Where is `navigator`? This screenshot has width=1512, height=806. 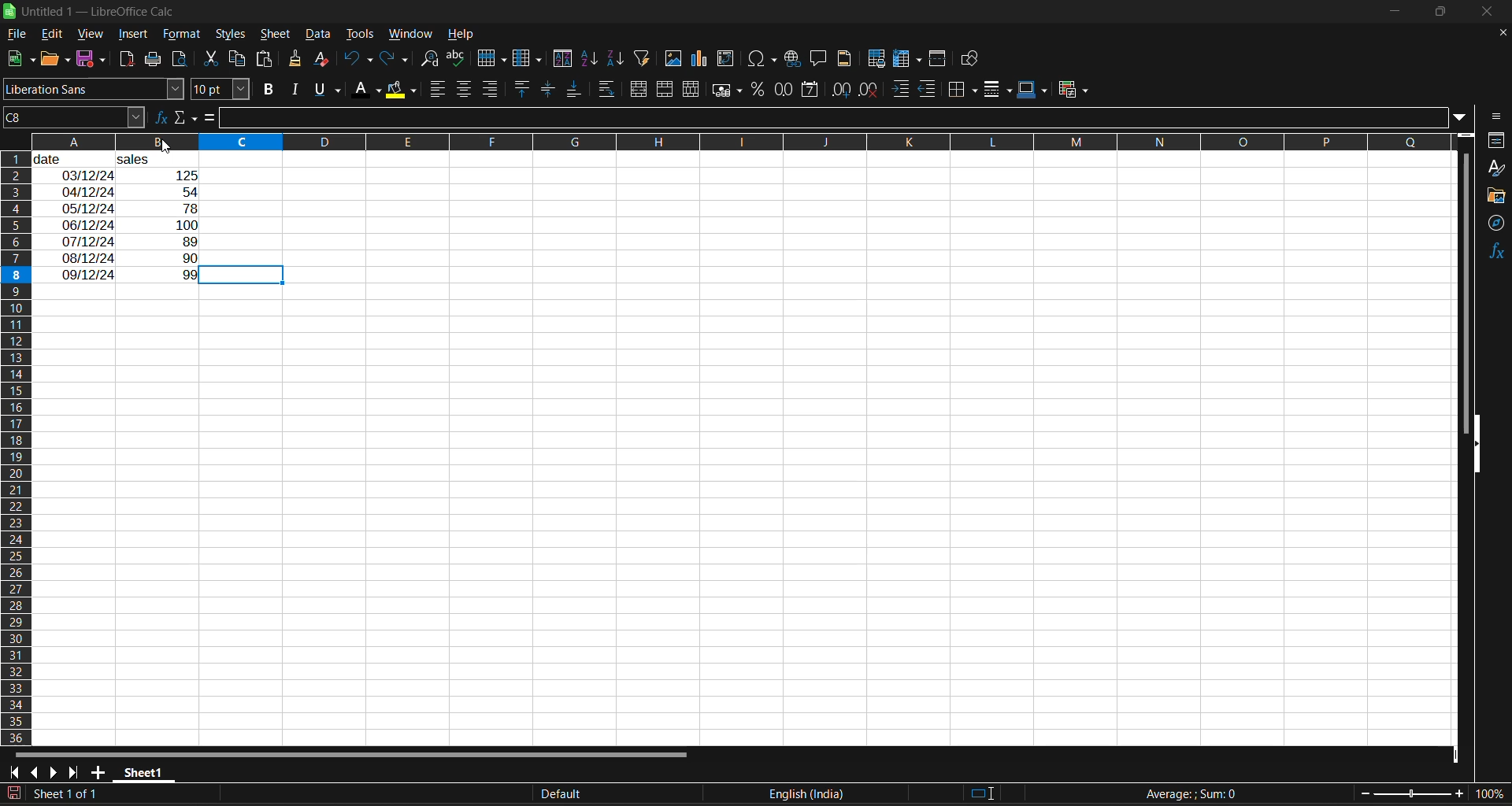
navigator is located at coordinates (1496, 227).